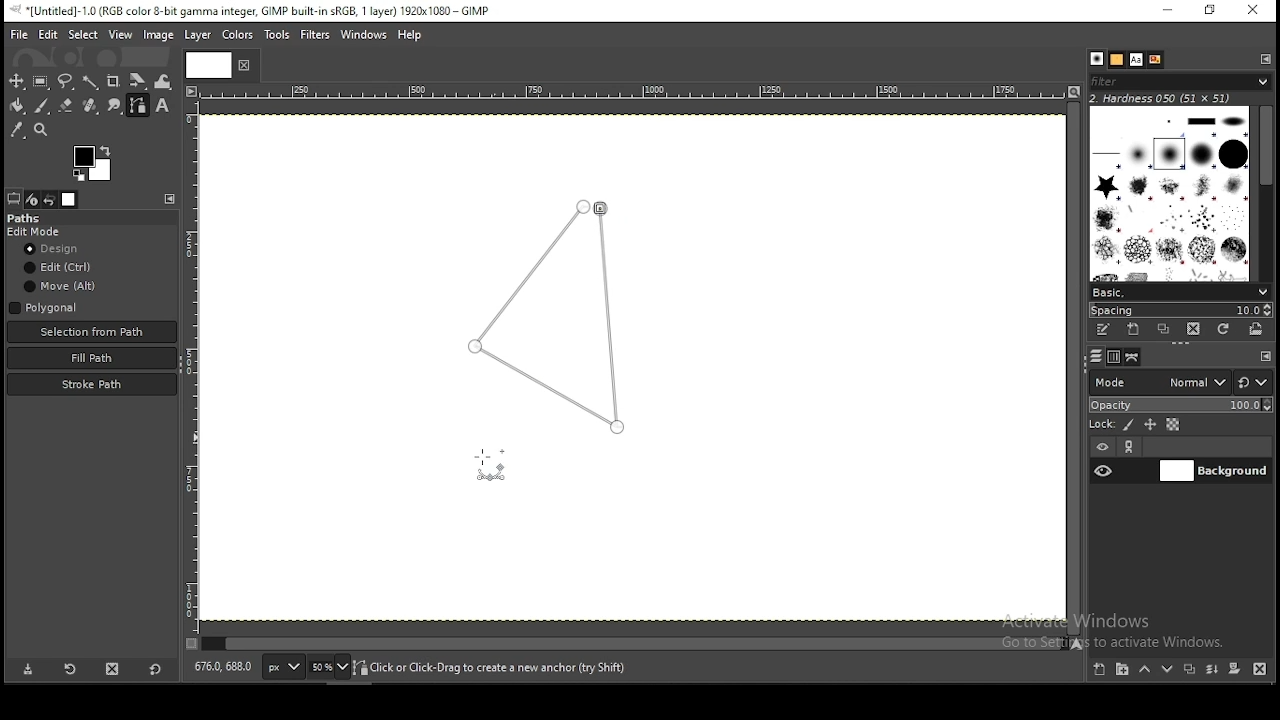 The height and width of the screenshot is (720, 1280). Describe the element at coordinates (1159, 382) in the screenshot. I see `layer modes` at that location.